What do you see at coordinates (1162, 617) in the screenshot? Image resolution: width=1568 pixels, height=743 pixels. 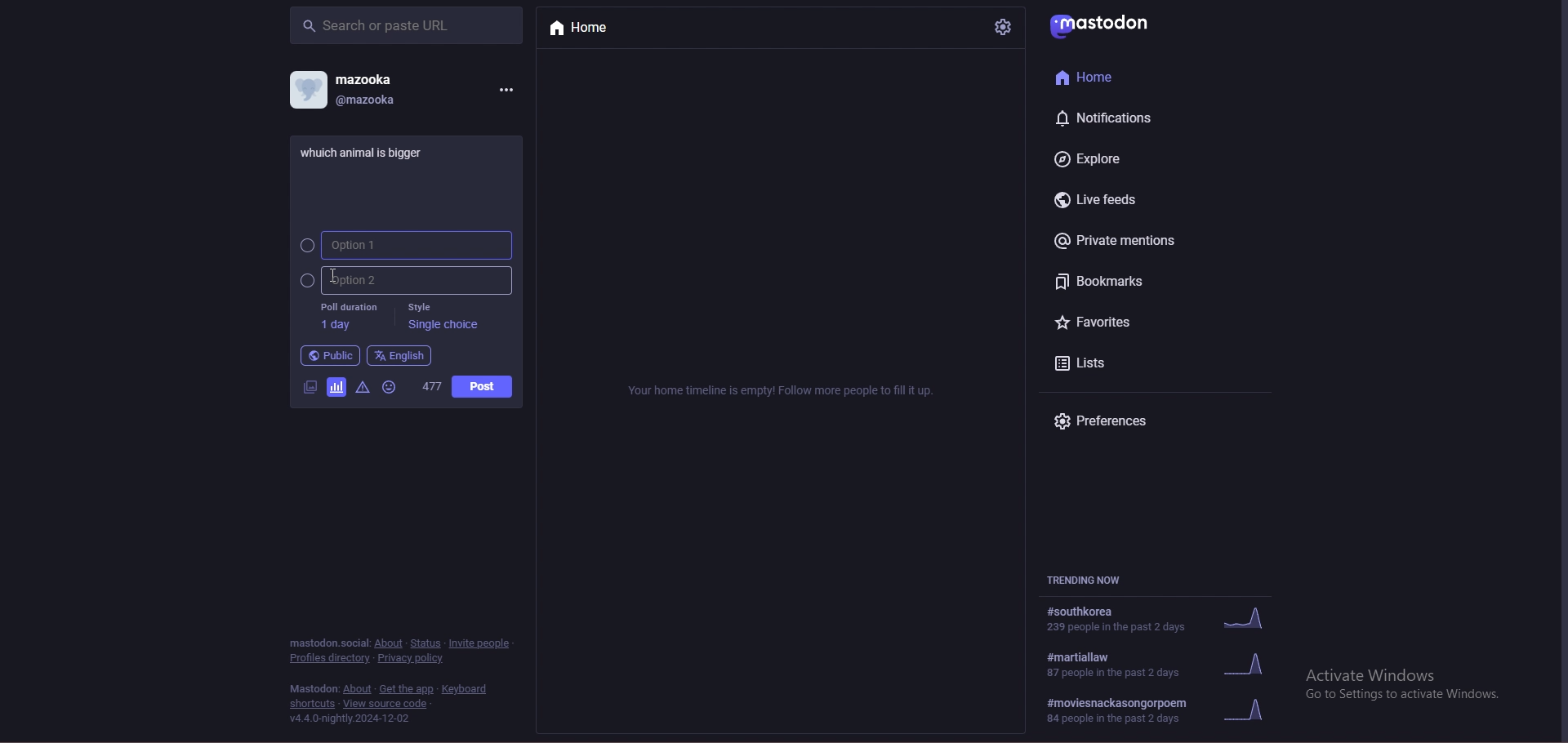 I see `trend` at bounding box center [1162, 617].